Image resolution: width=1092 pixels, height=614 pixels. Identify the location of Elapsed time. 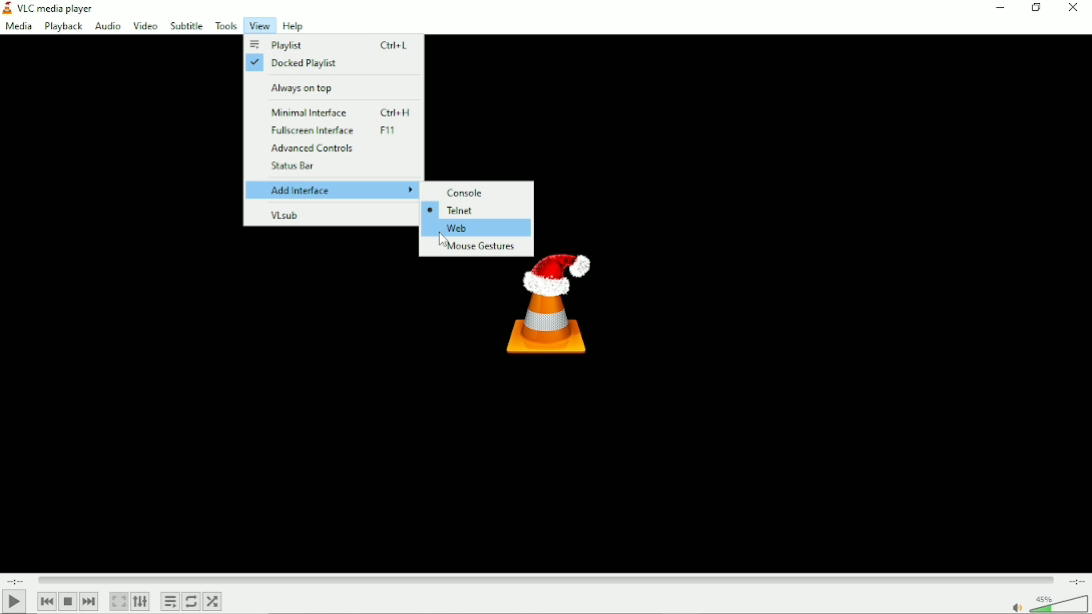
(17, 580).